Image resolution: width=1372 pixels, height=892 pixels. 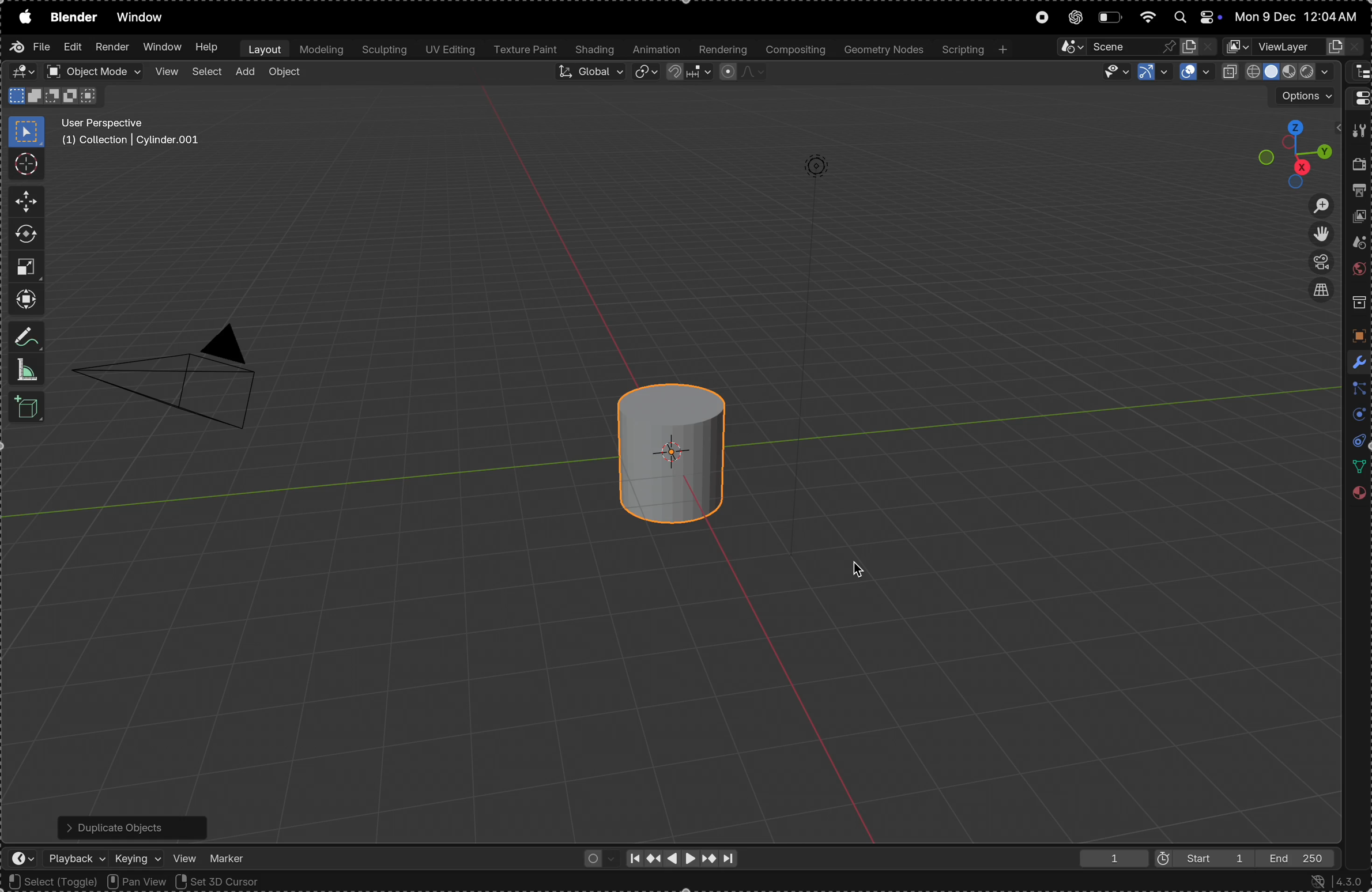 What do you see at coordinates (138, 855) in the screenshot?
I see `keying` at bounding box center [138, 855].